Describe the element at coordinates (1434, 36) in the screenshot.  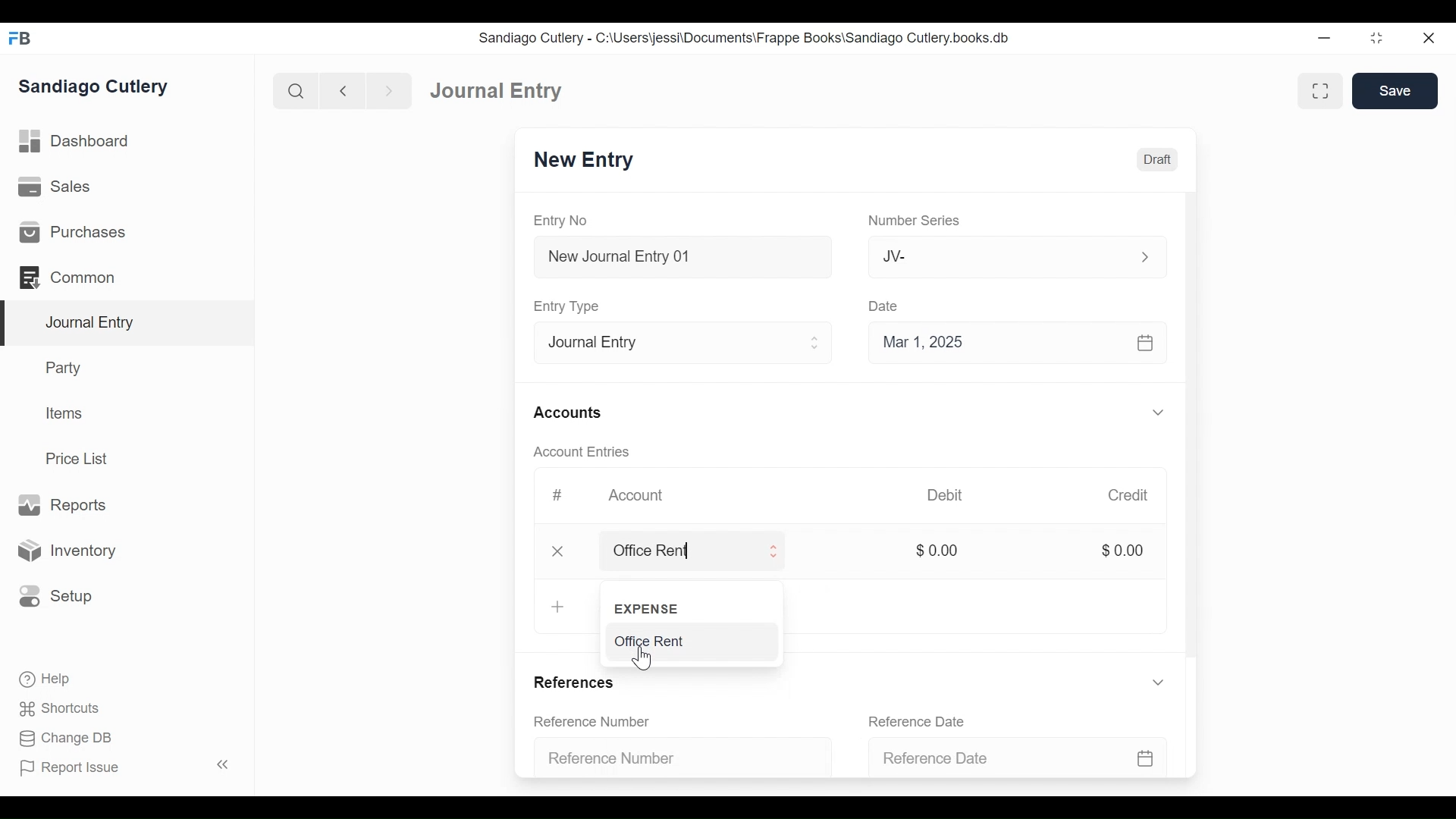
I see `close` at that location.